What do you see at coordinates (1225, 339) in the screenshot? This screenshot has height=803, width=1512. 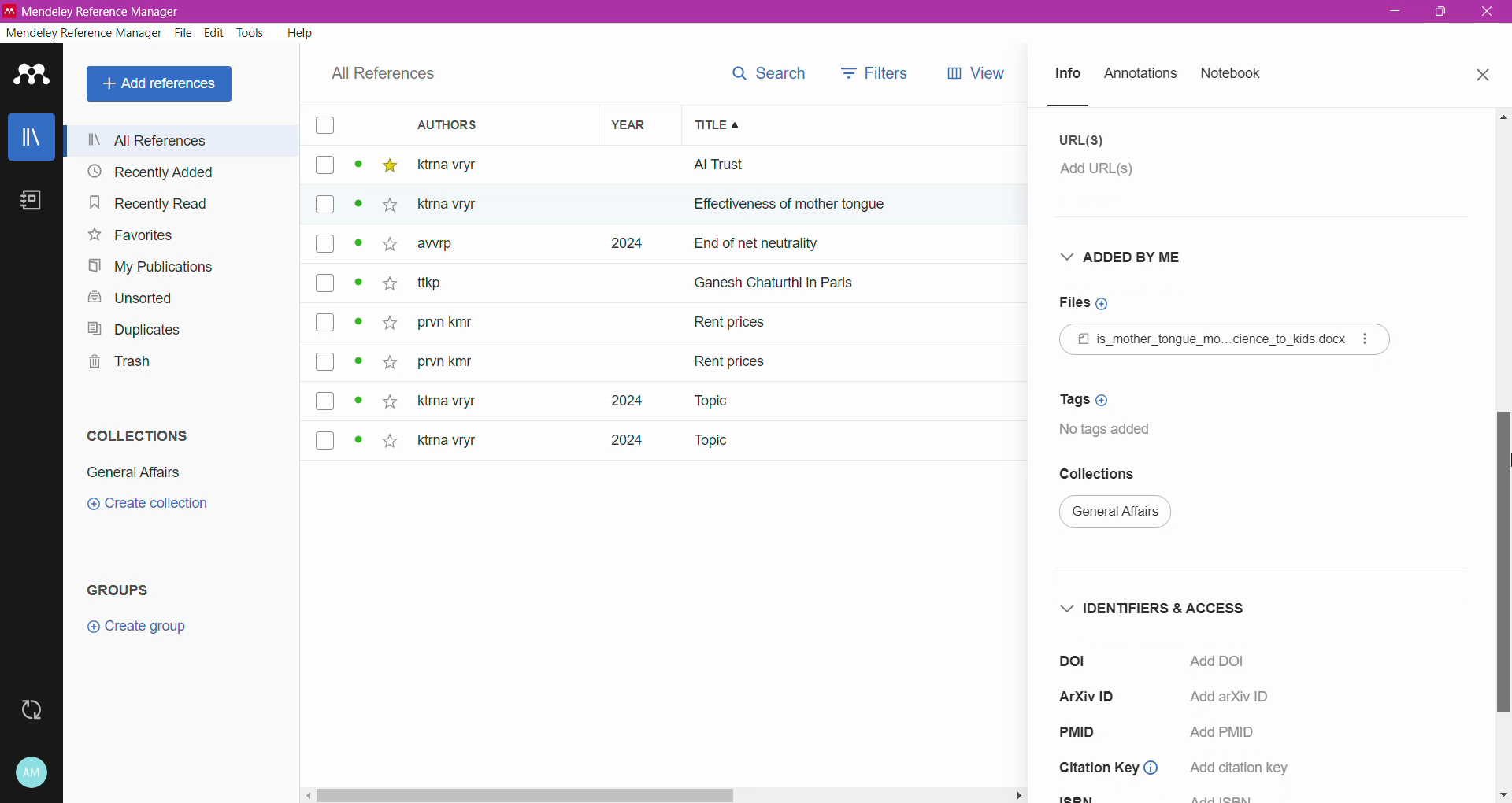 I see `Reference File ` at bounding box center [1225, 339].